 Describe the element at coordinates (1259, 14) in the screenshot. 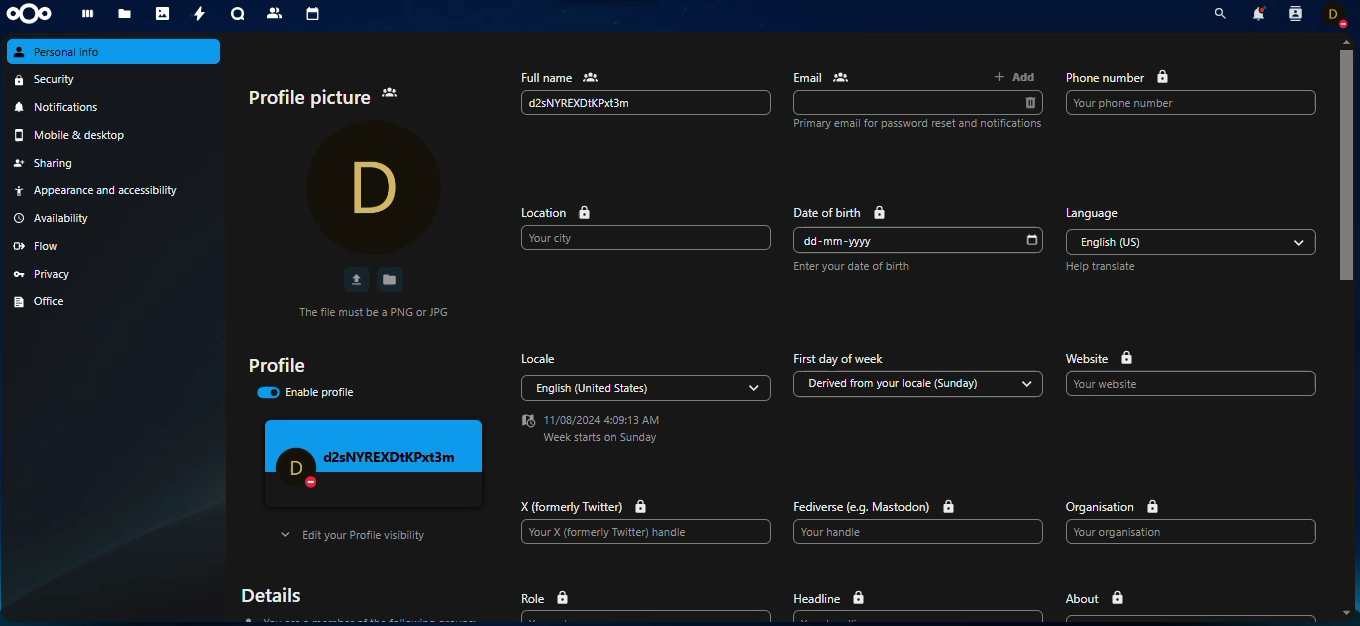

I see `notifications` at that location.